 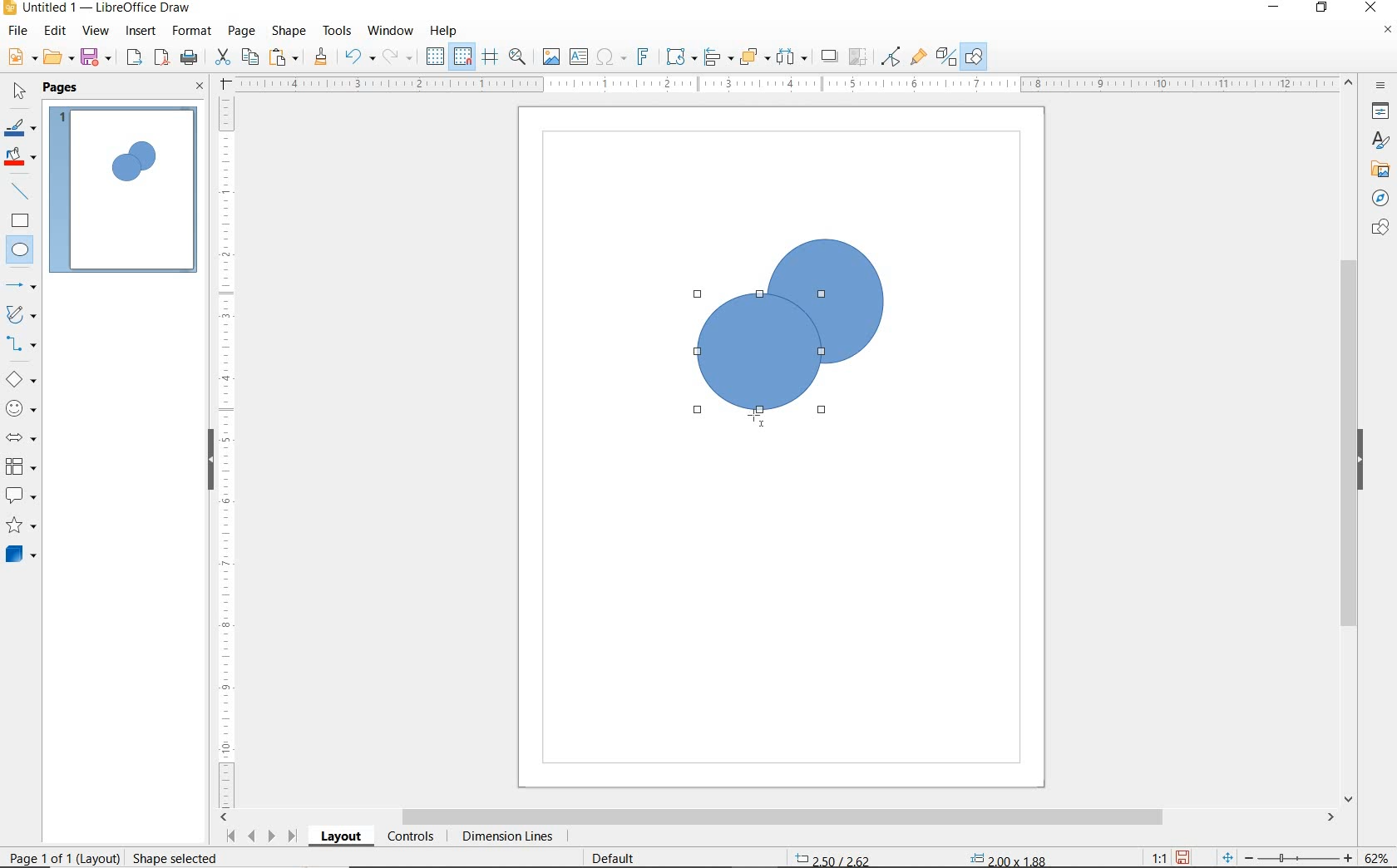 I want to click on ELLIPSE, so click(x=21, y=251).